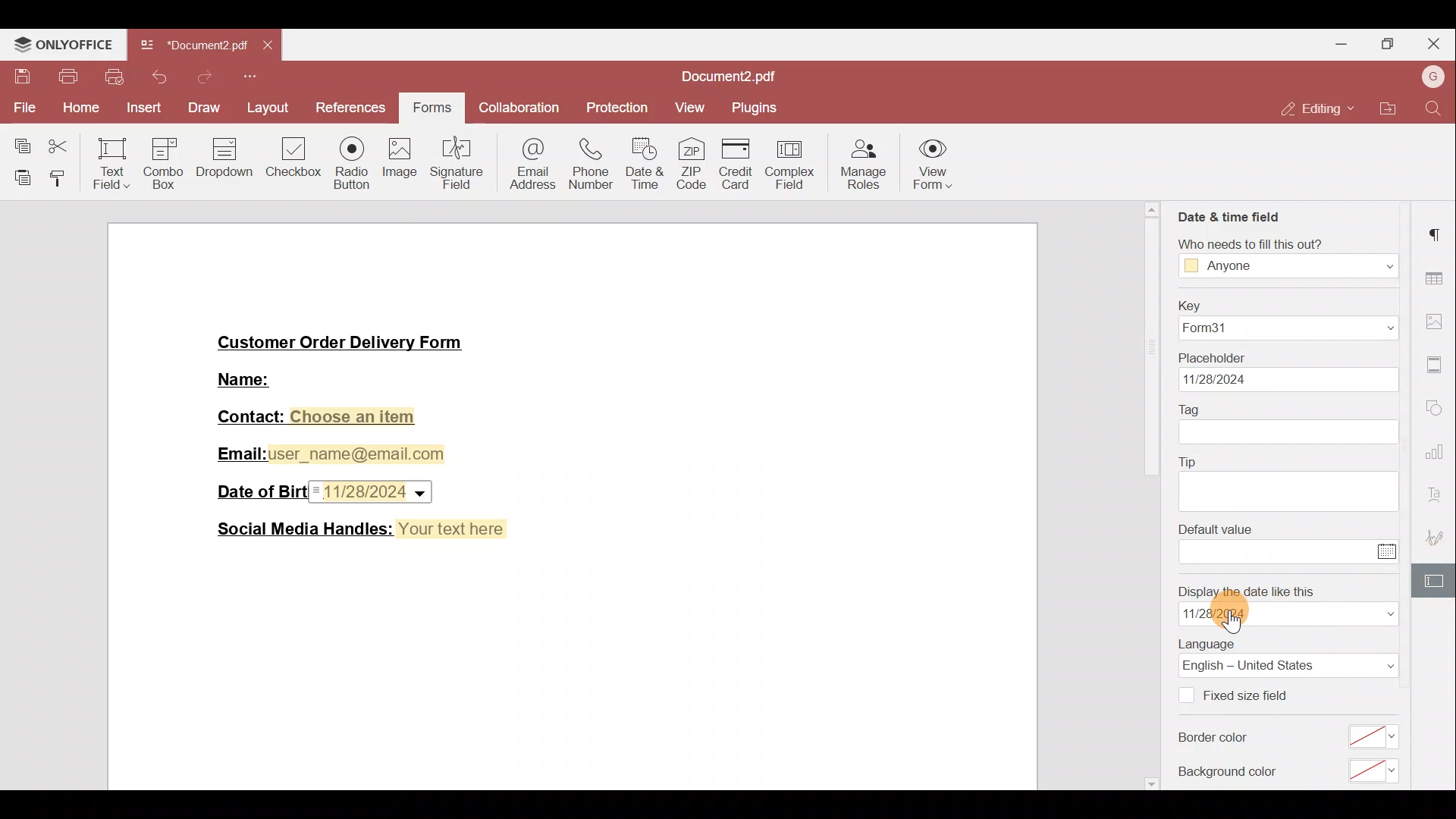 The height and width of the screenshot is (819, 1456). What do you see at coordinates (1434, 107) in the screenshot?
I see `Find` at bounding box center [1434, 107].